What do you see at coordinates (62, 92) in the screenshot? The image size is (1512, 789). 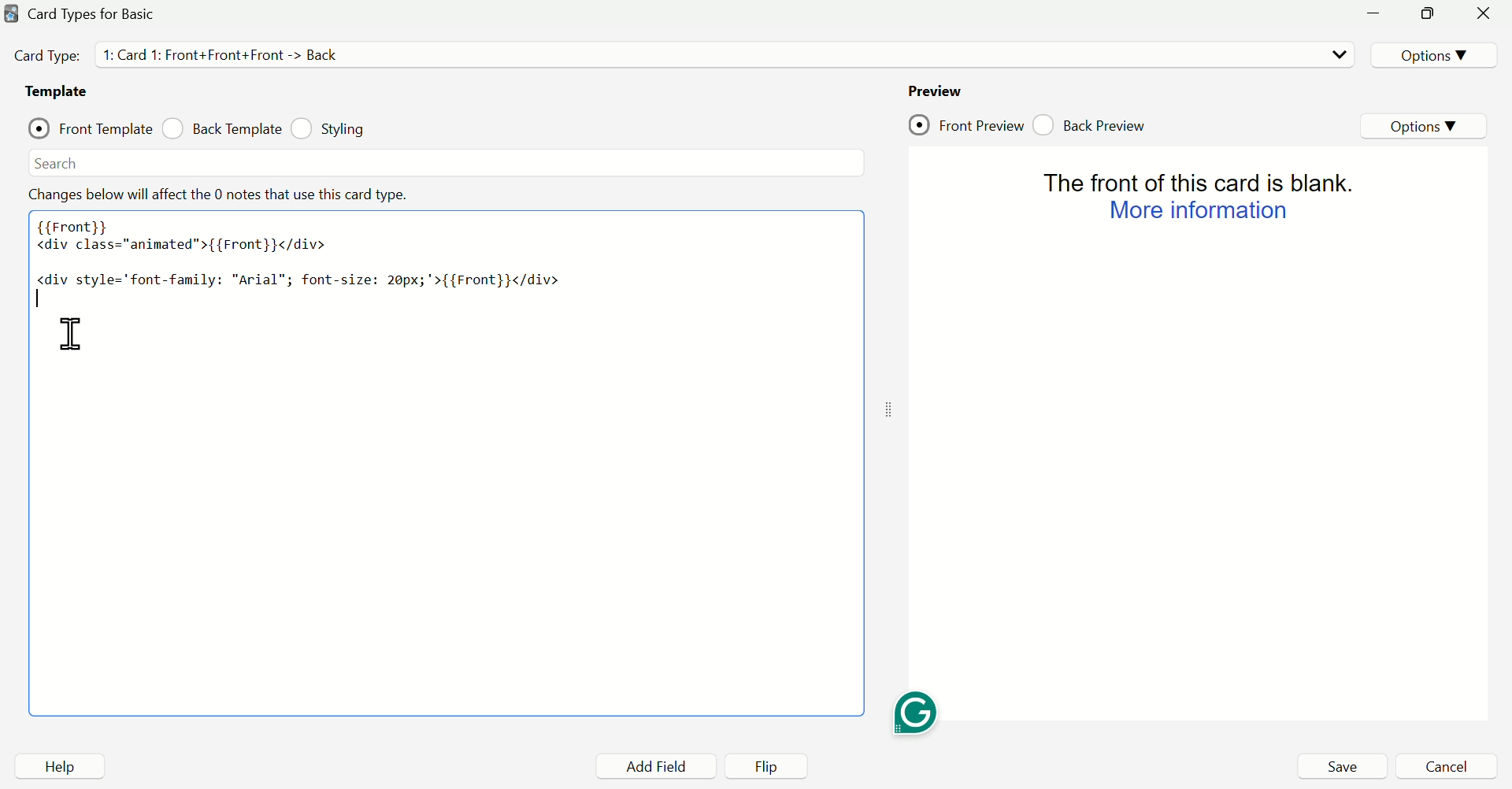 I see `Template` at bounding box center [62, 92].